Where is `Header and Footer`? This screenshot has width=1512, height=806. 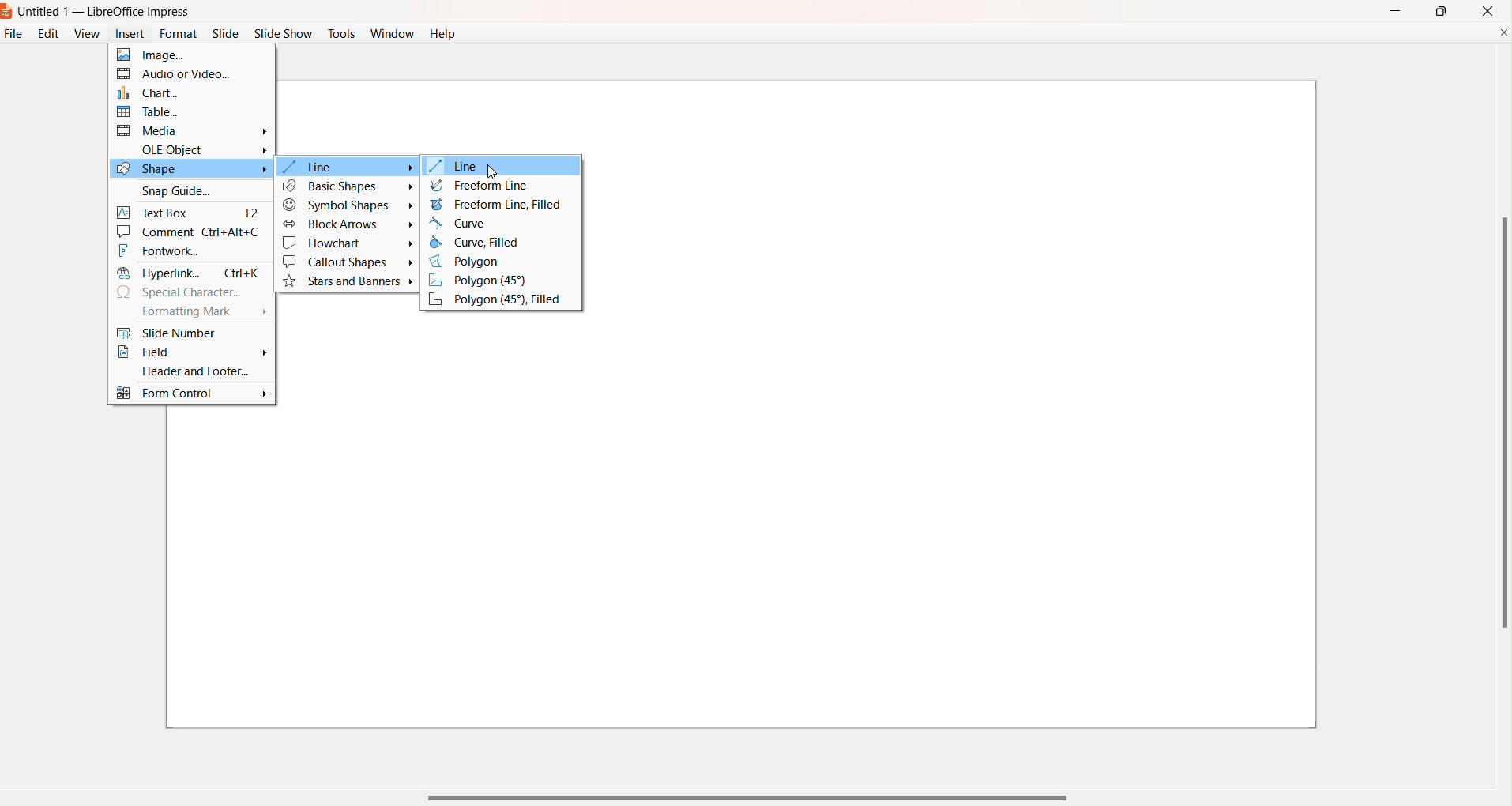
Header and Footer is located at coordinates (188, 371).